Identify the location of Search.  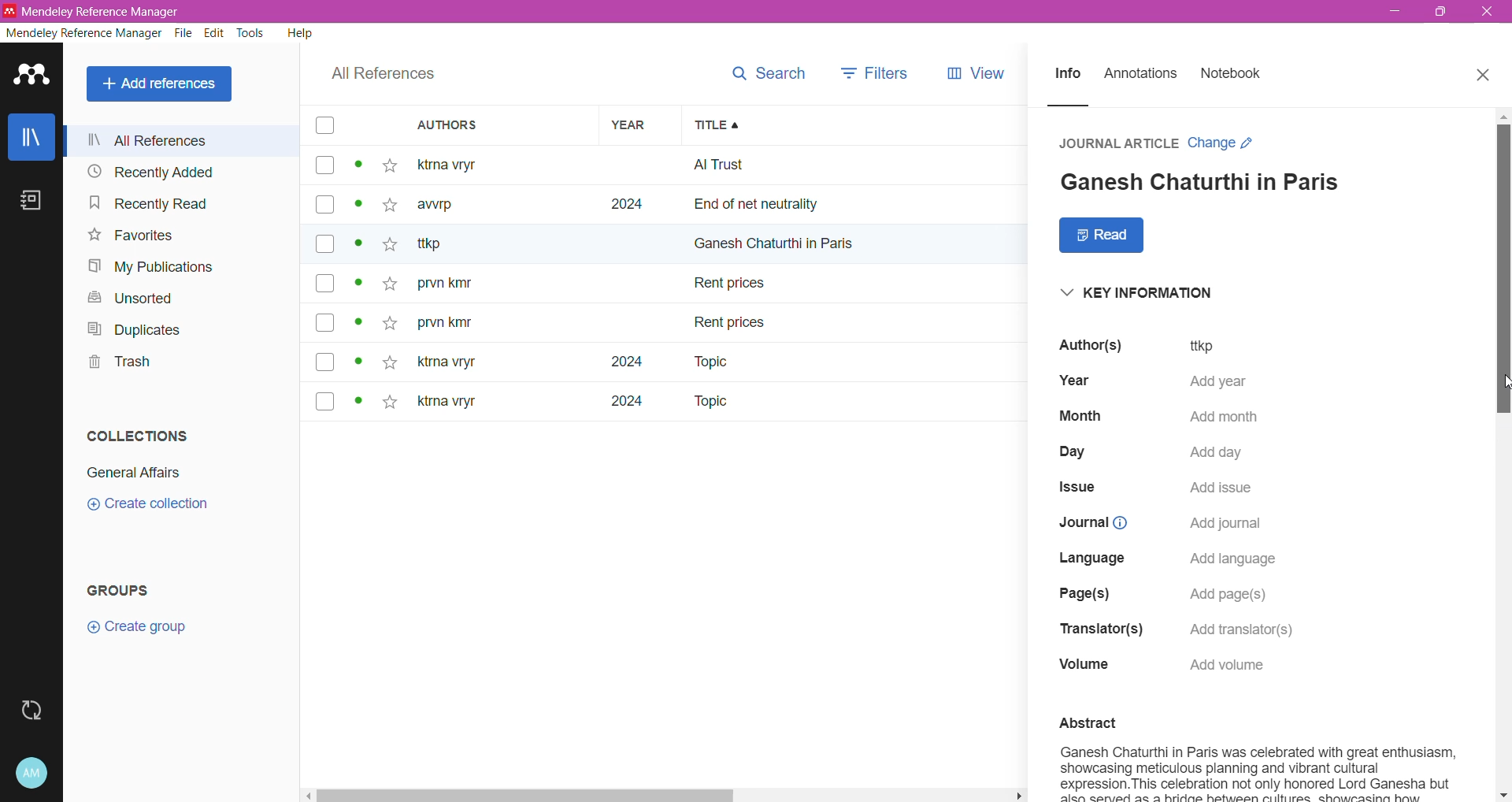
(769, 69).